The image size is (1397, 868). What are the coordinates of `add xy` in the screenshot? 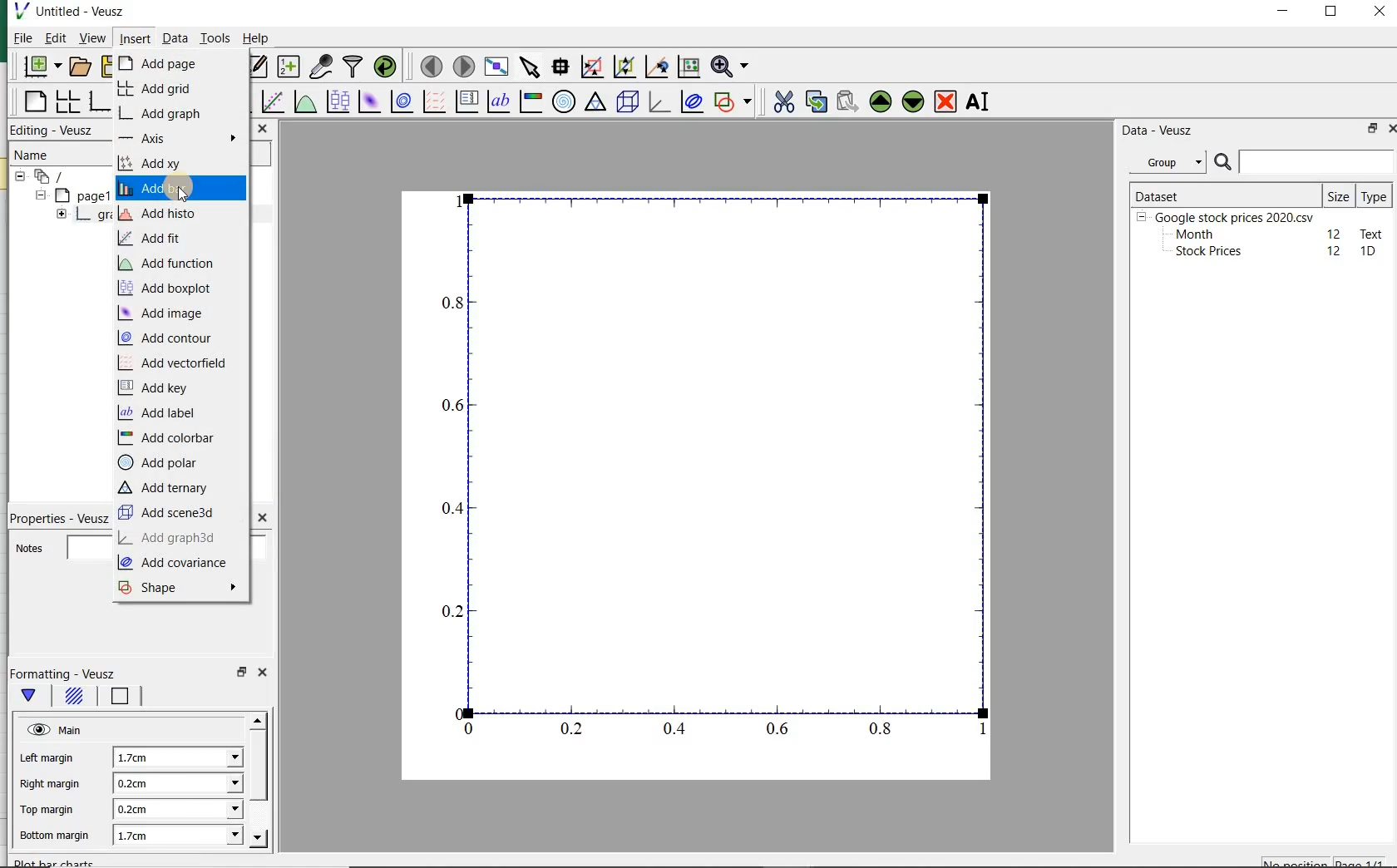 It's located at (176, 165).